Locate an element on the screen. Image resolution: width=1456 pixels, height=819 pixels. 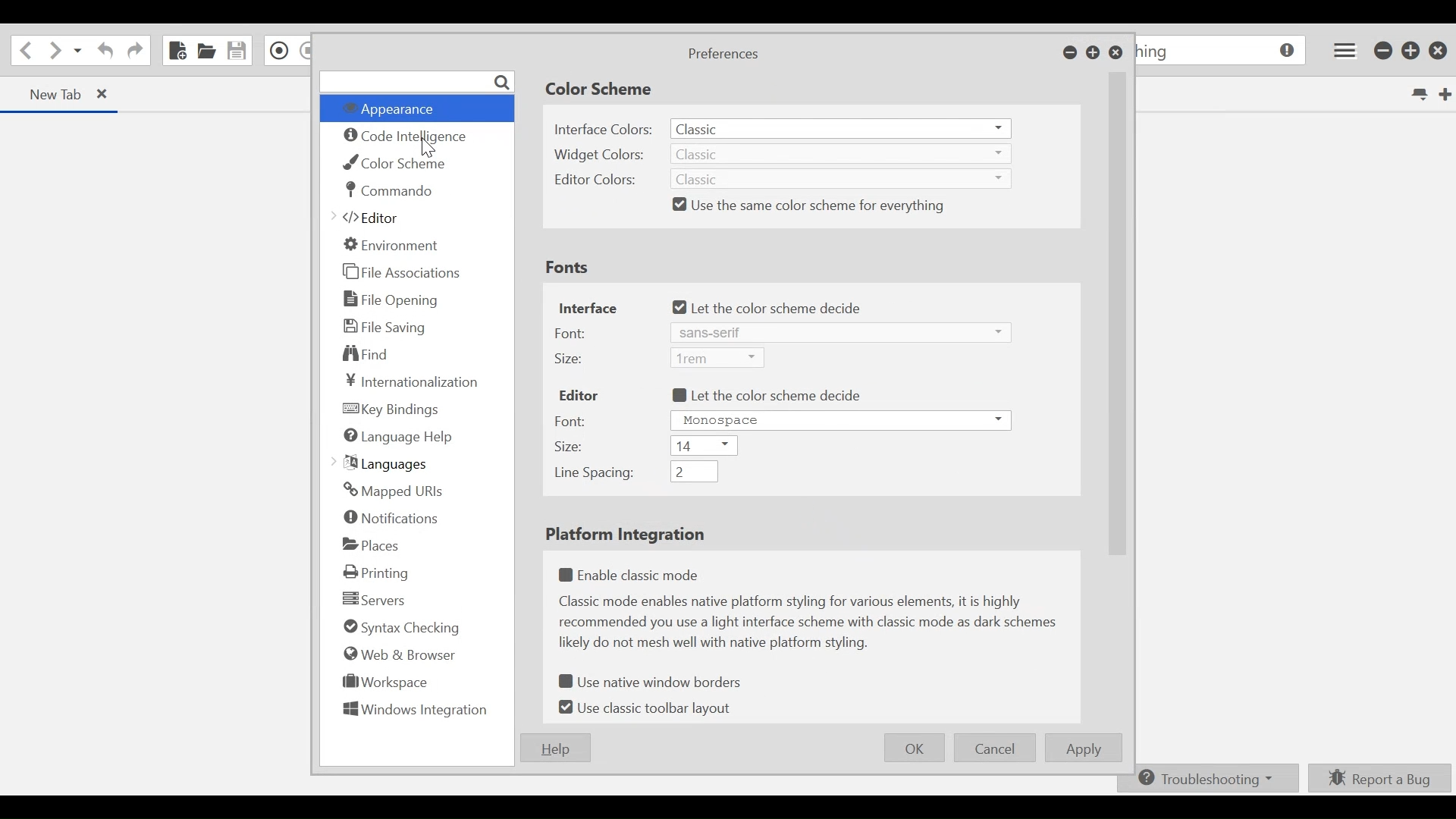
Mapped URLs is located at coordinates (392, 491).